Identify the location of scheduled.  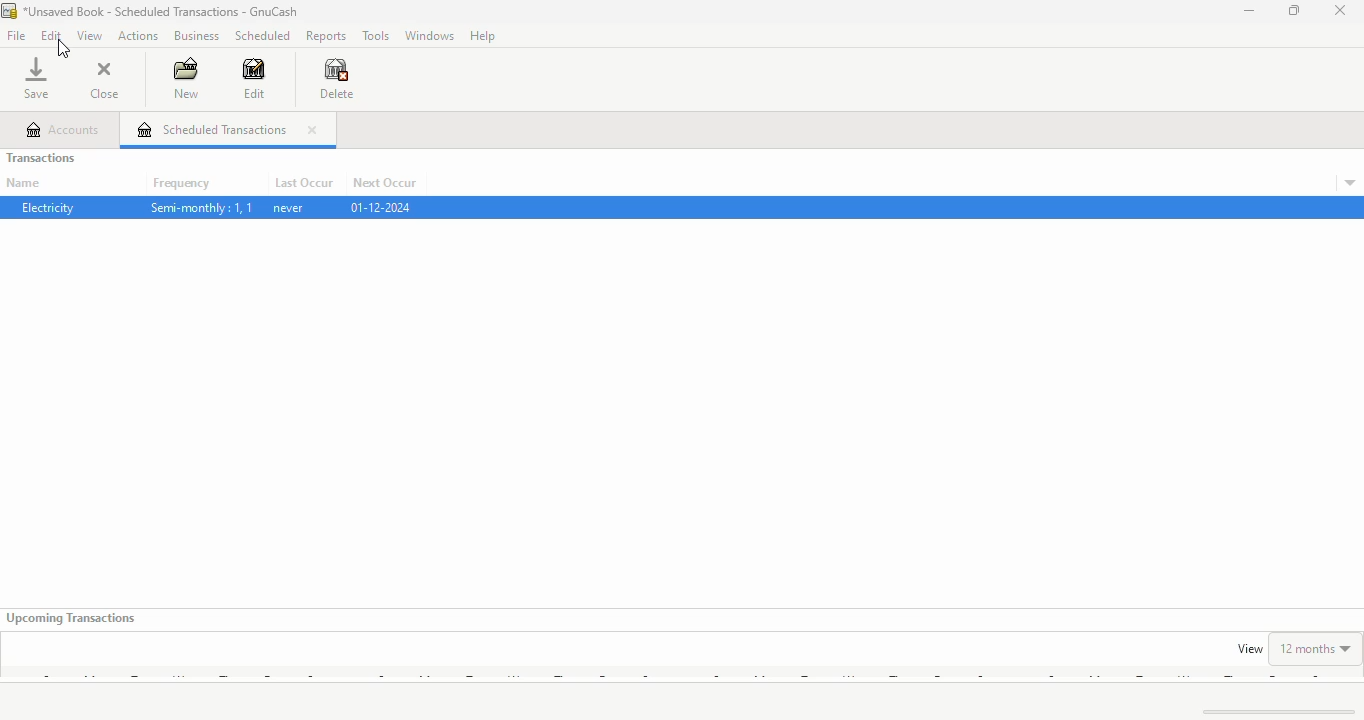
(263, 36).